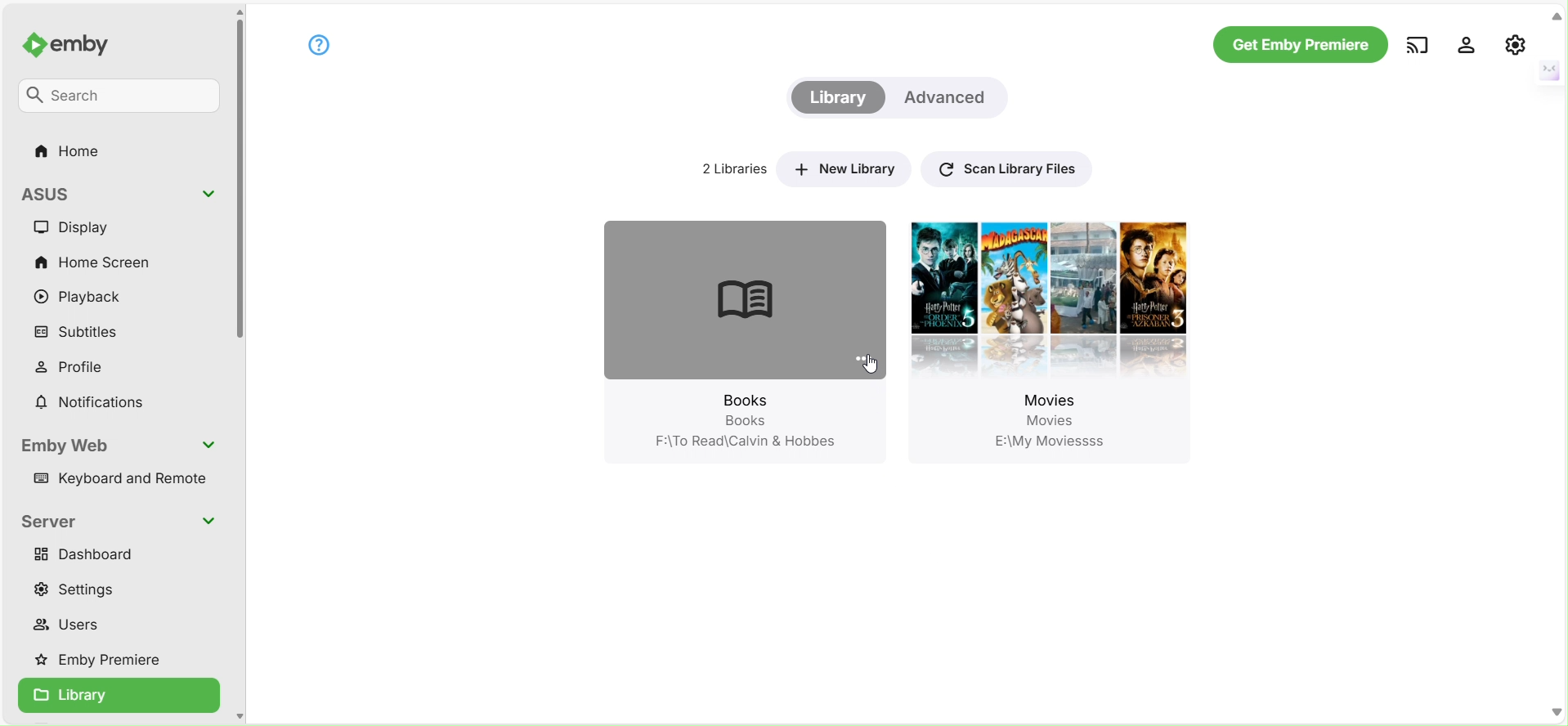 This screenshot has width=1568, height=726. What do you see at coordinates (318, 44) in the screenshot?
I see `Help` at bounding box center [318, 44].